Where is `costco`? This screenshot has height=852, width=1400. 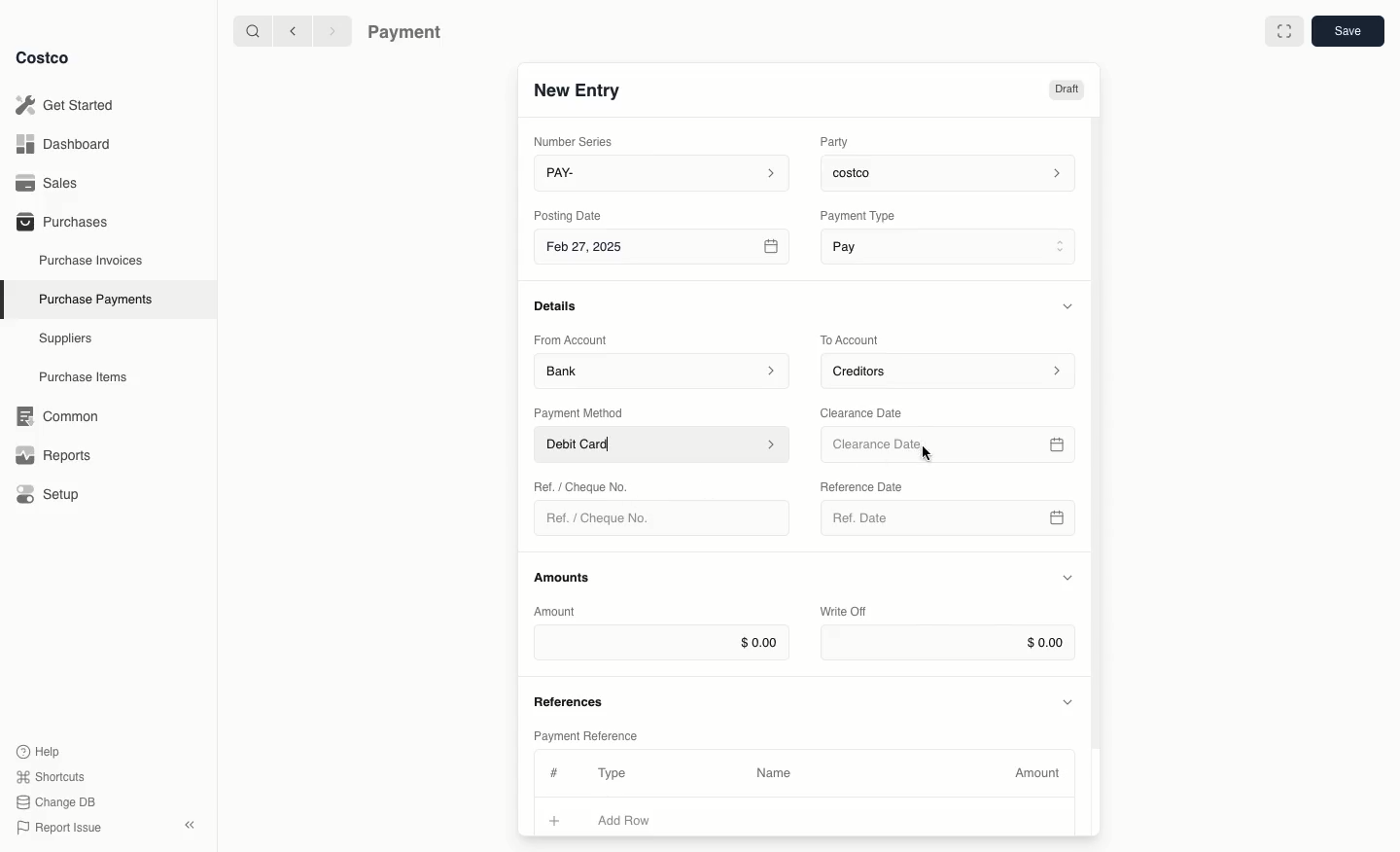 costco is located at coordinates (953, 170).